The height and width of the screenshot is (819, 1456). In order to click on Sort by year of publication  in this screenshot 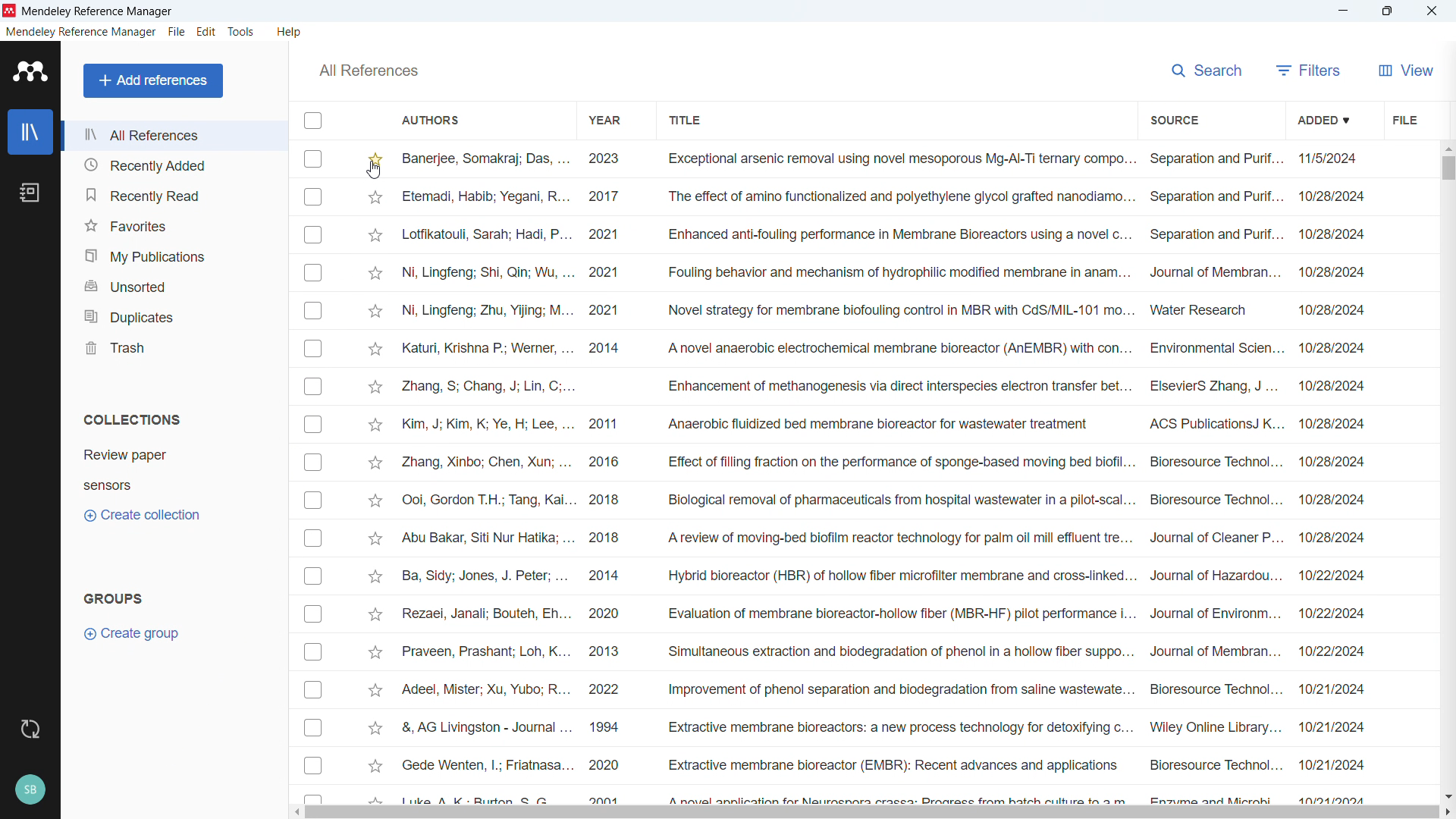, I will do `click(607, 118)`.